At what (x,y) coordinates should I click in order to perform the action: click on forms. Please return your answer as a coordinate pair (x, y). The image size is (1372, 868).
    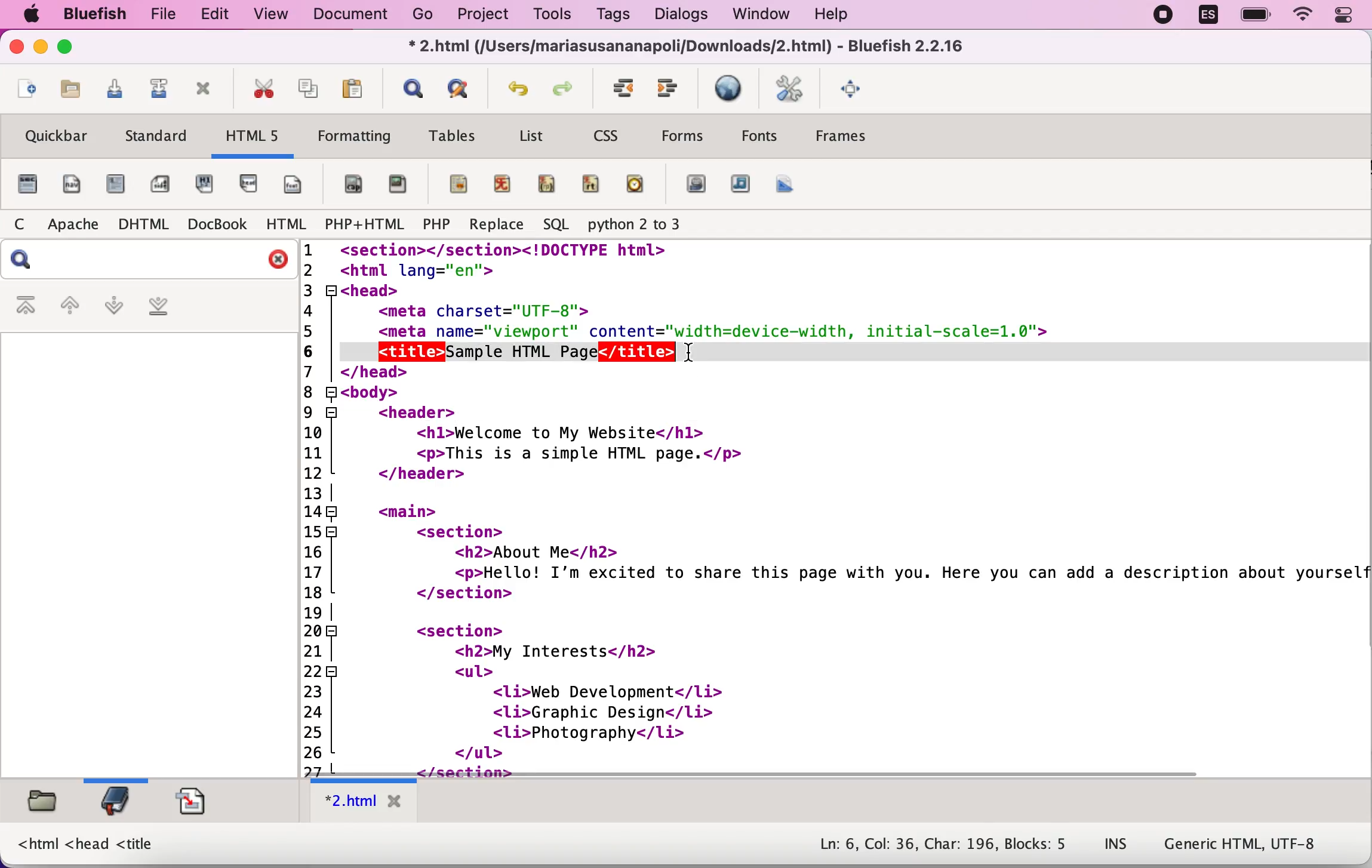
    Looking at the image, I should click on (687, 136).